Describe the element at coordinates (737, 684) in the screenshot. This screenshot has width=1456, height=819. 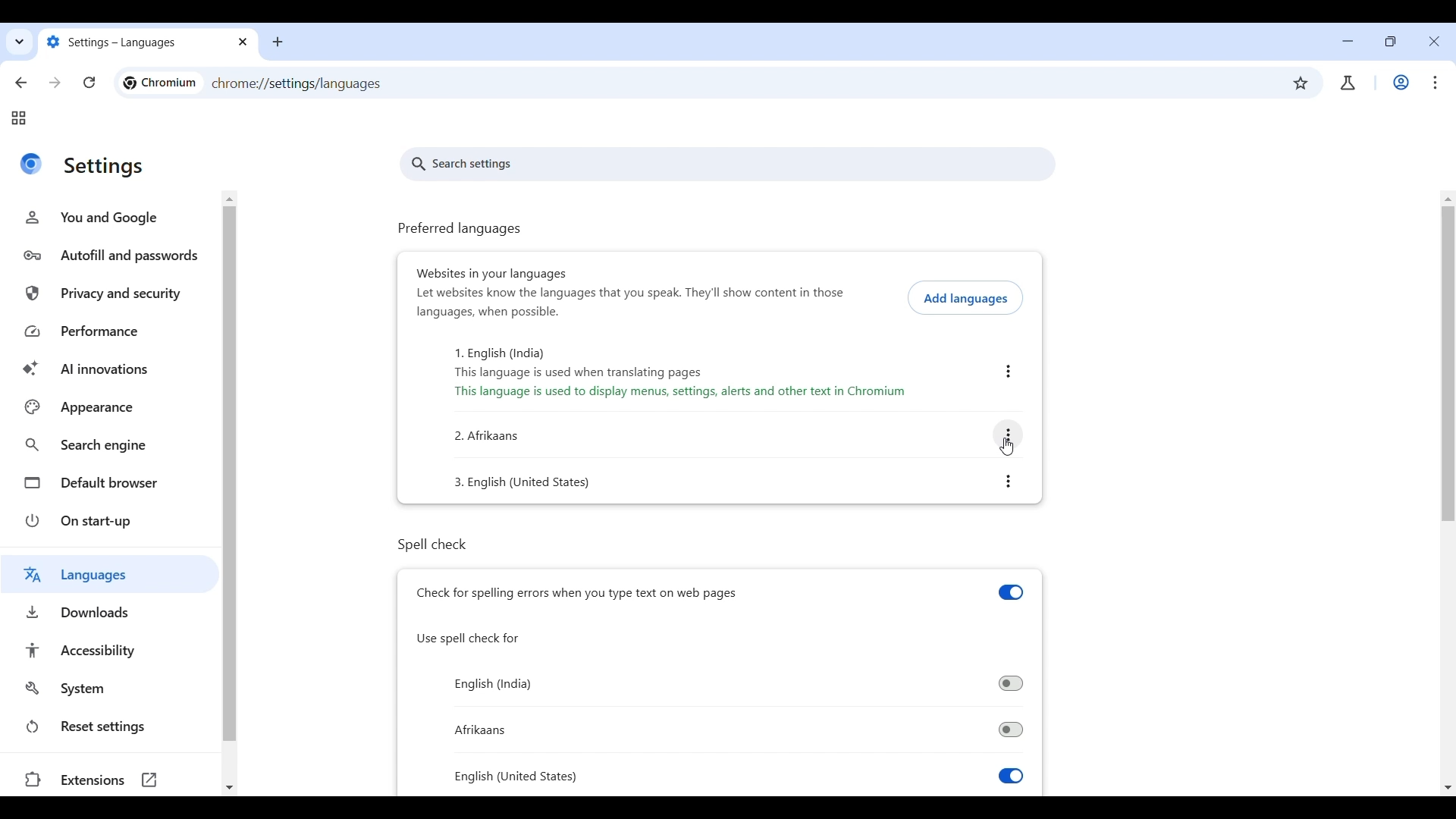
I see `Toggle for spell check in English (India)` at that location.